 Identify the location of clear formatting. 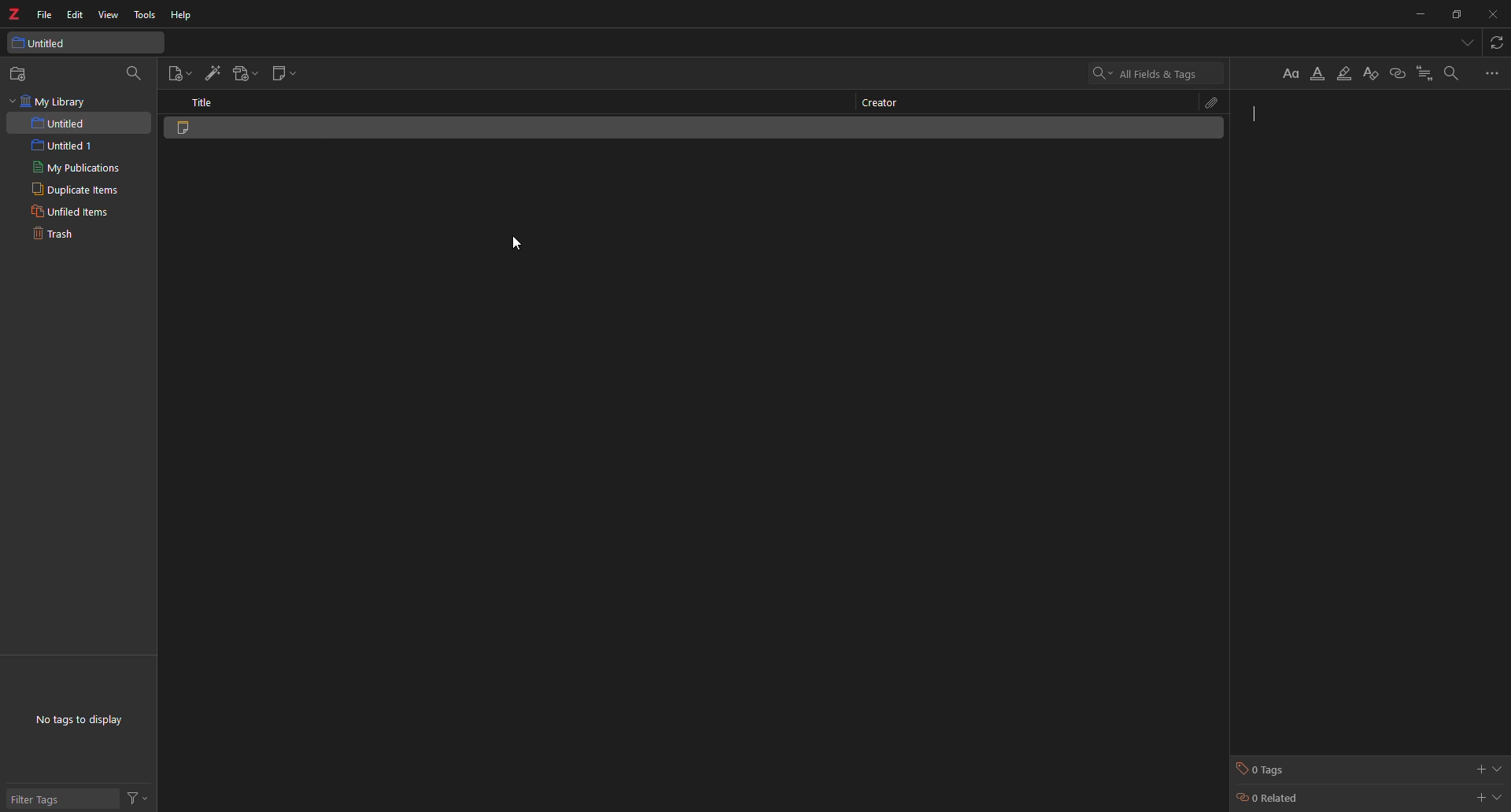
(1375, 72).